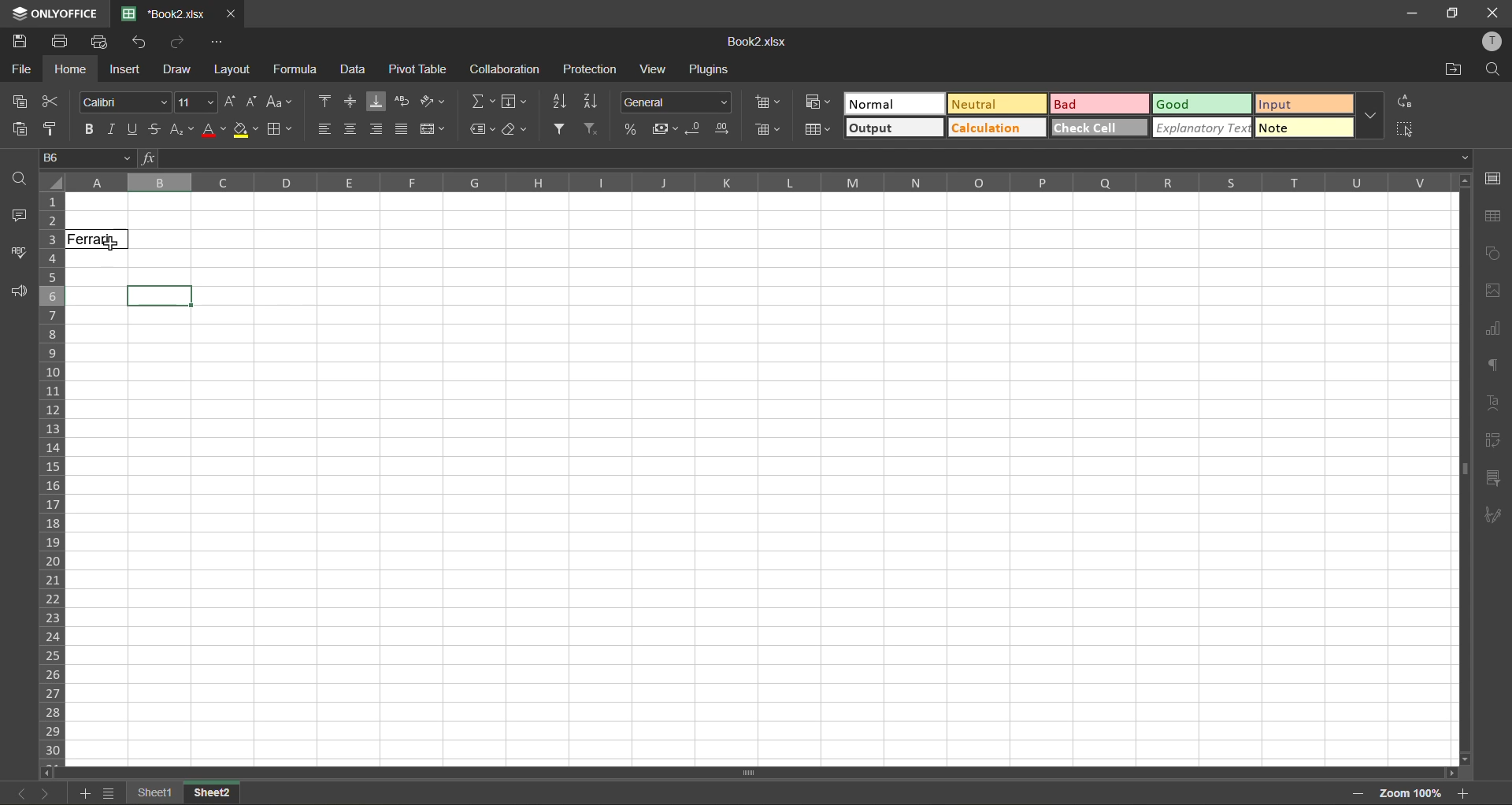 The width and height of the screenshot is (1512, 805). Describe the element at coordinates (770, 105) in the screenshot. I see `insert cells` at that location.